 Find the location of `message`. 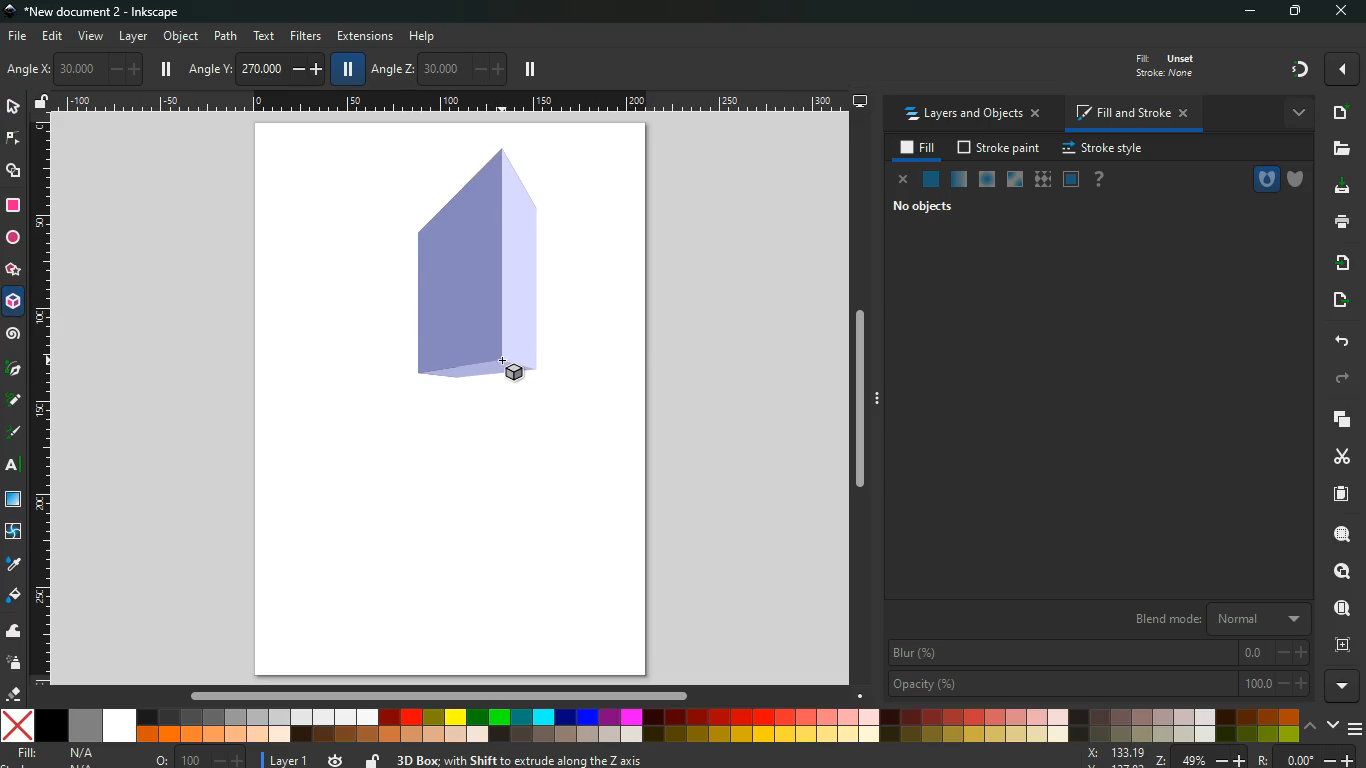

message is located at coordinates (684, 761).